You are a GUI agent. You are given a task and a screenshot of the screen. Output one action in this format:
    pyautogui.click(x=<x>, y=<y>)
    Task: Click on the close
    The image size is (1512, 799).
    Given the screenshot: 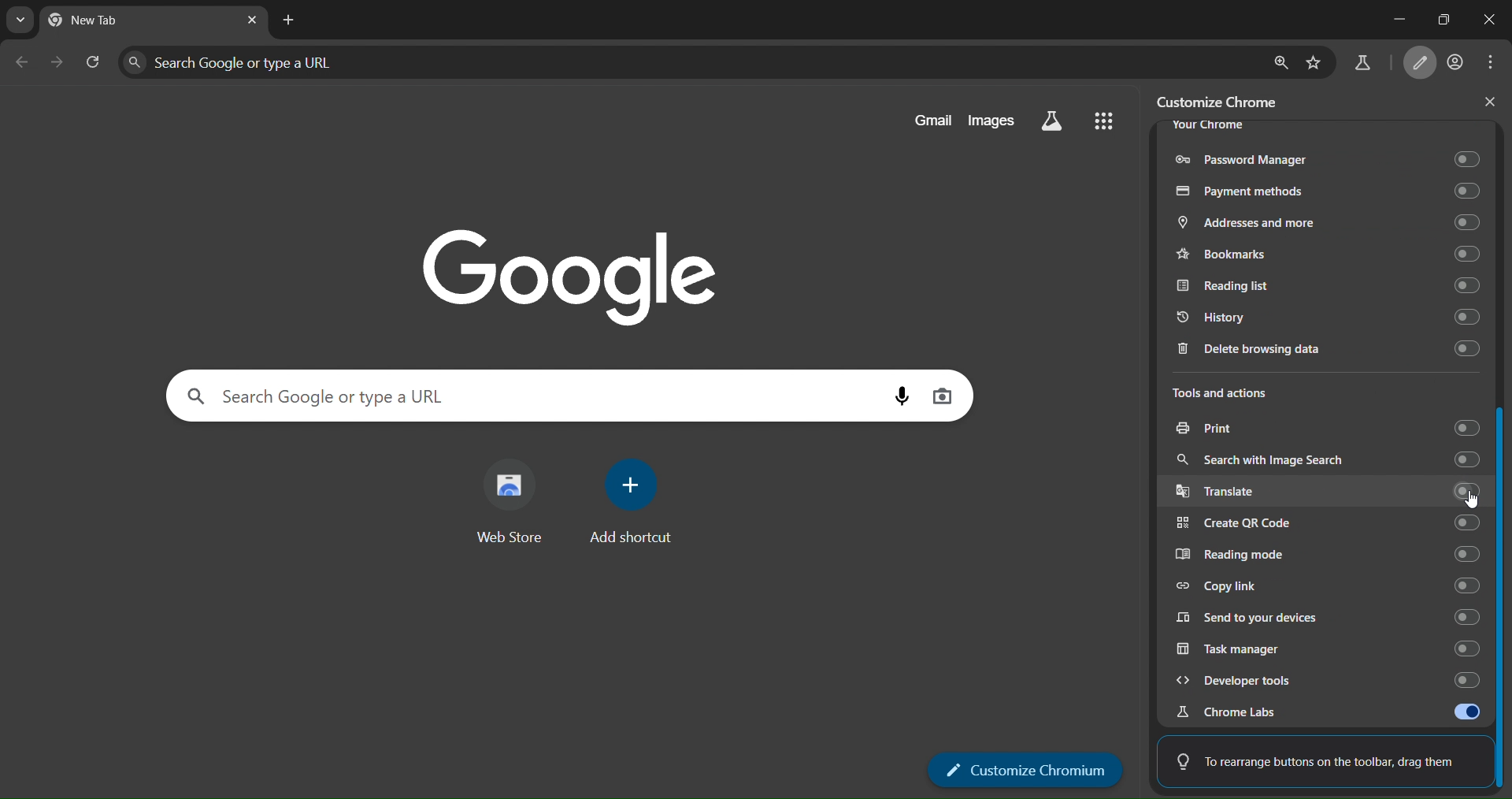 What is the action you would take?
    pyautogui.click(x=1484, y=104)
    